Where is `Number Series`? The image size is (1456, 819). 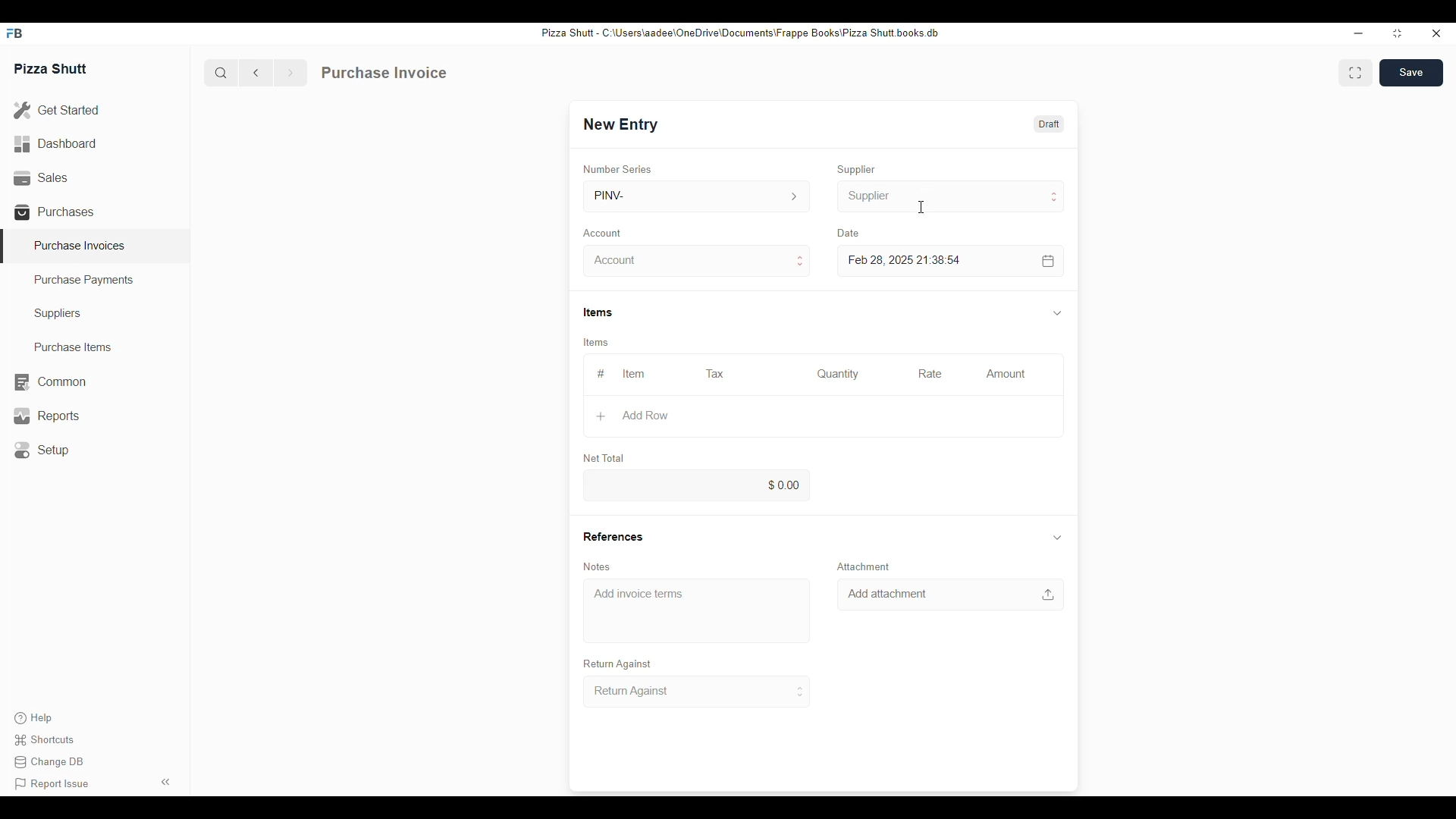 Number Series is located at coordinates (617, 168).